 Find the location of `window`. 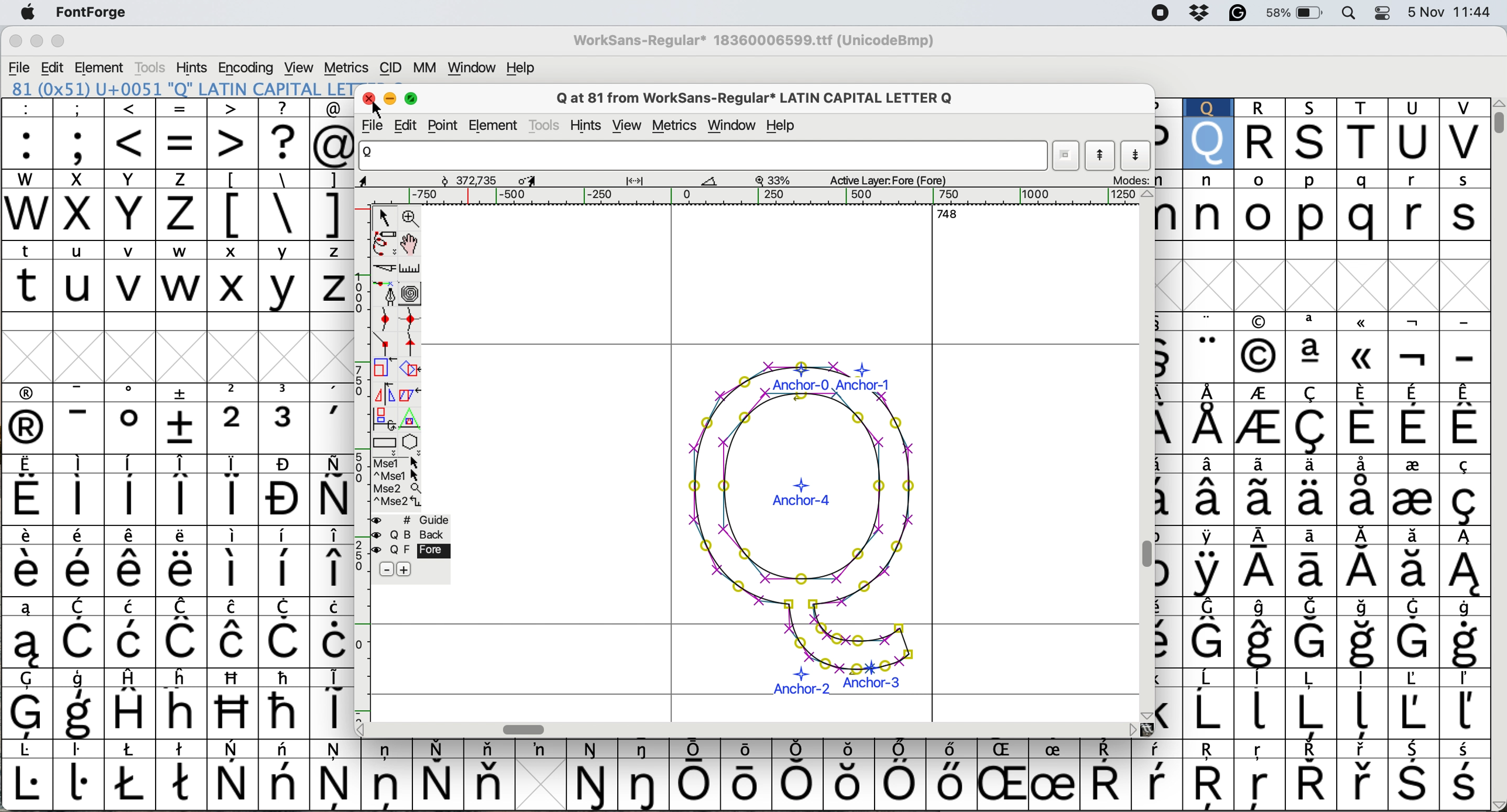

window is located at coordinates (732, 126).